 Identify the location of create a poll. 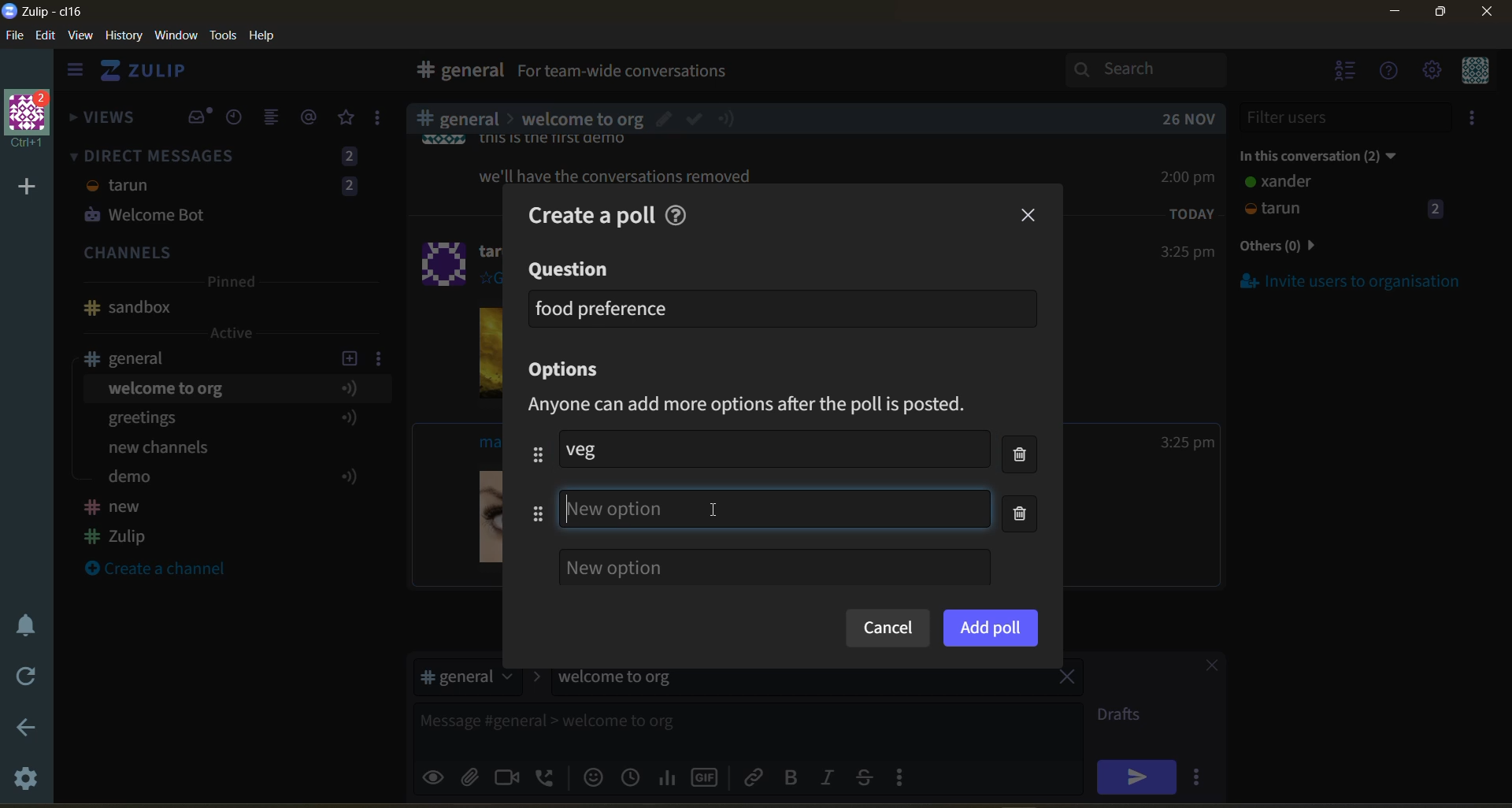
(584, 213).